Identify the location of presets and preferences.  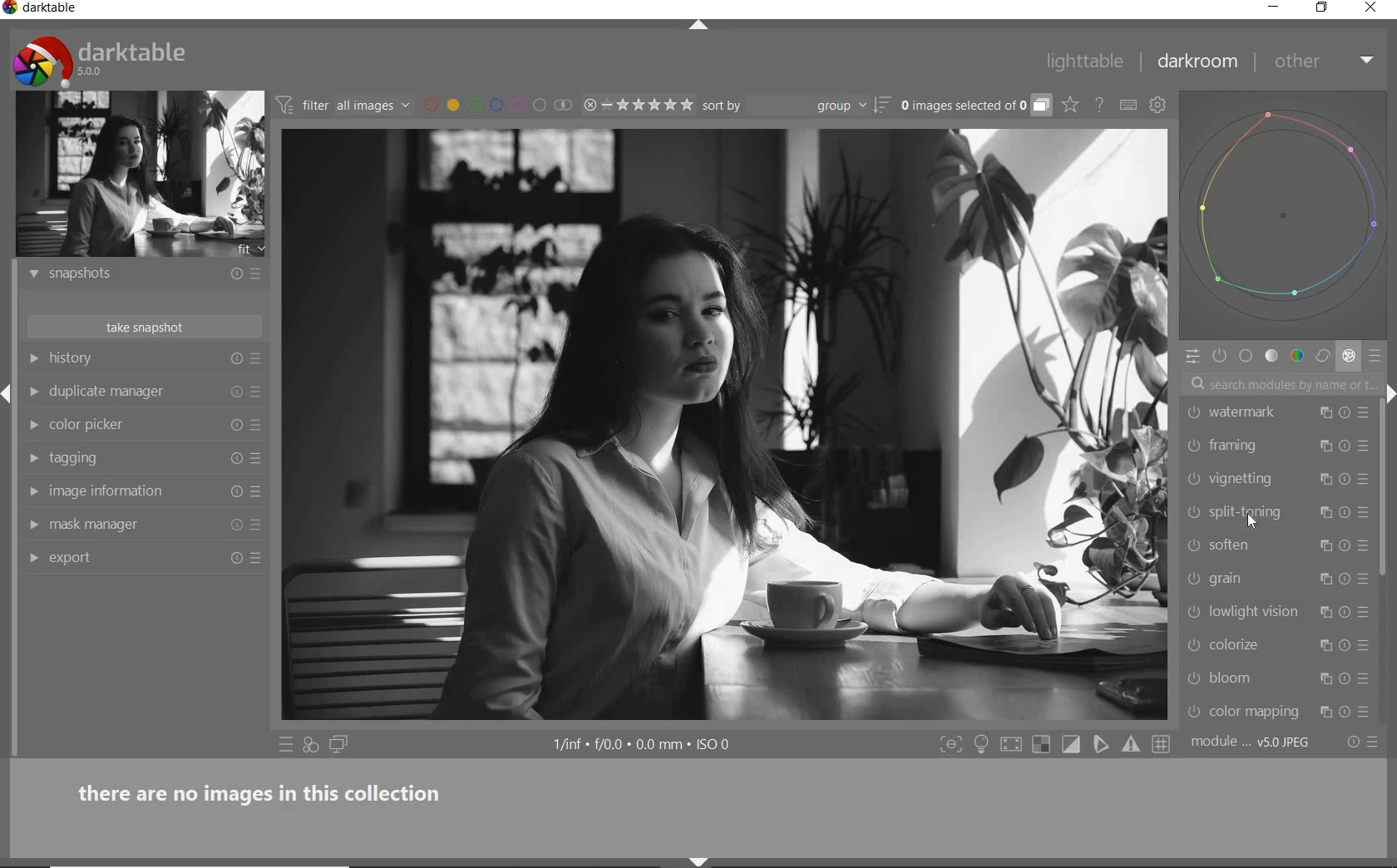
(255, 359).